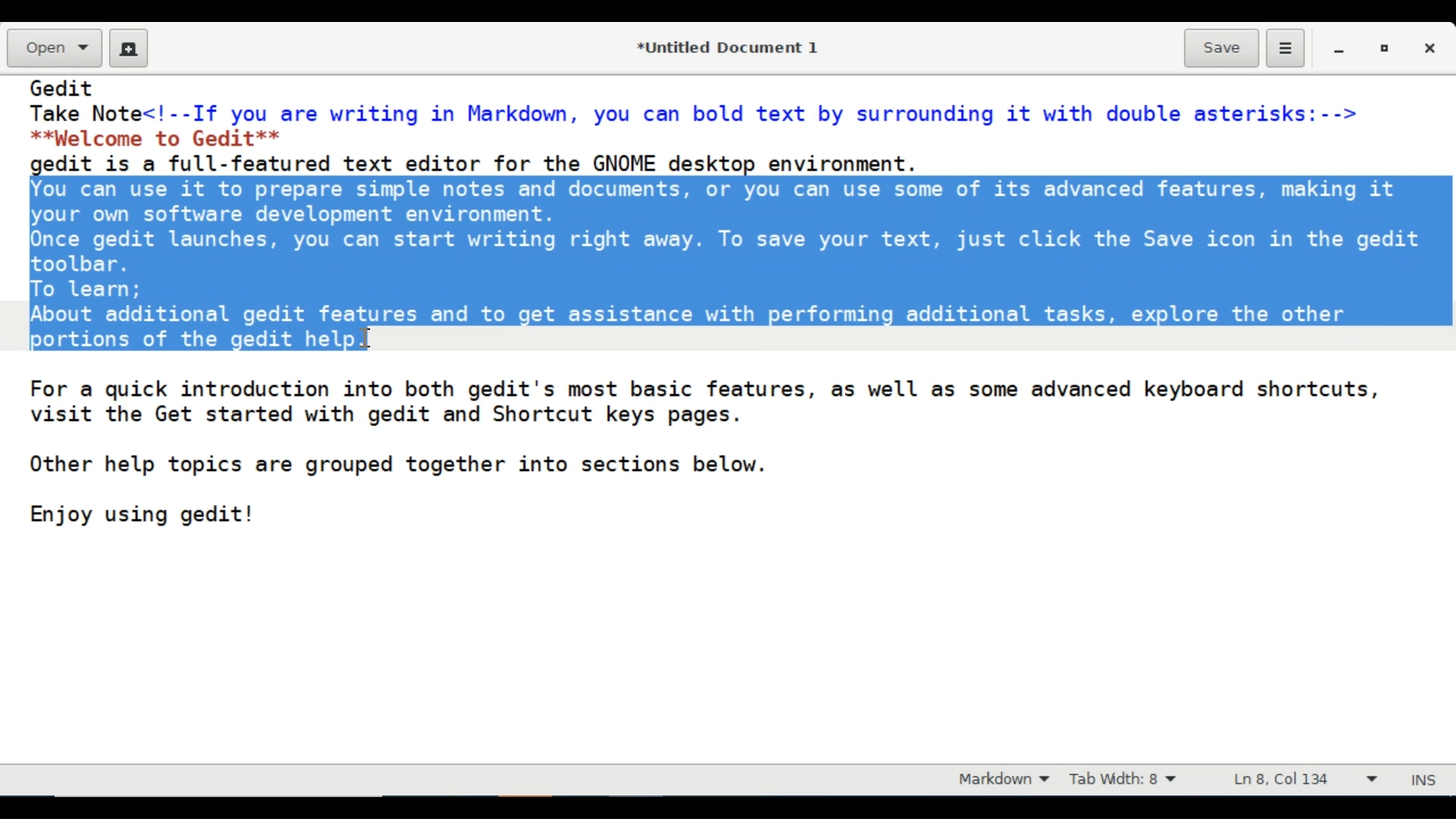 The height and width of the screenshot is (819, 1456). I want to click on restore, so click(1382, 48).